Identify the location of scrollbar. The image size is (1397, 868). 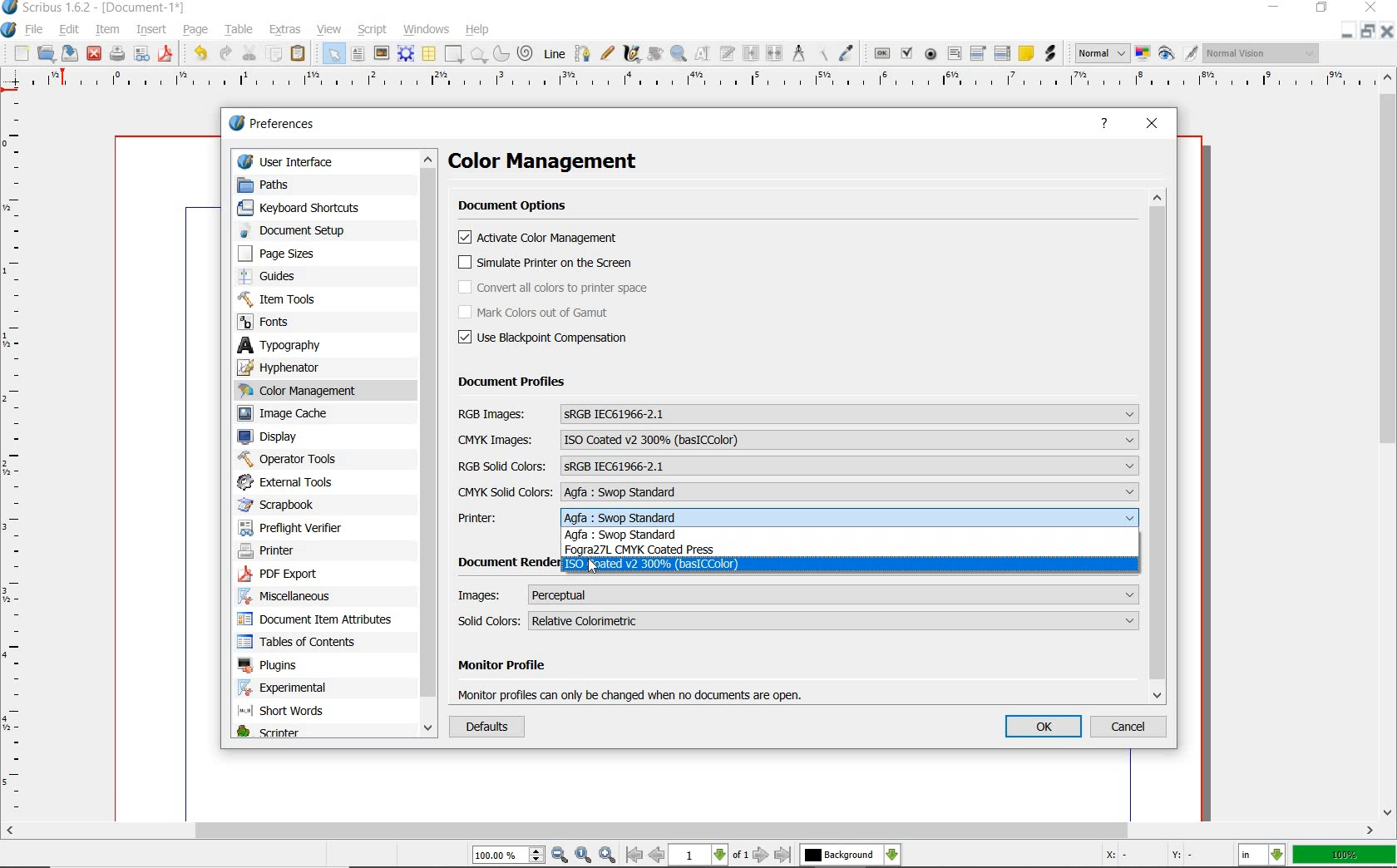
(1387, 445).